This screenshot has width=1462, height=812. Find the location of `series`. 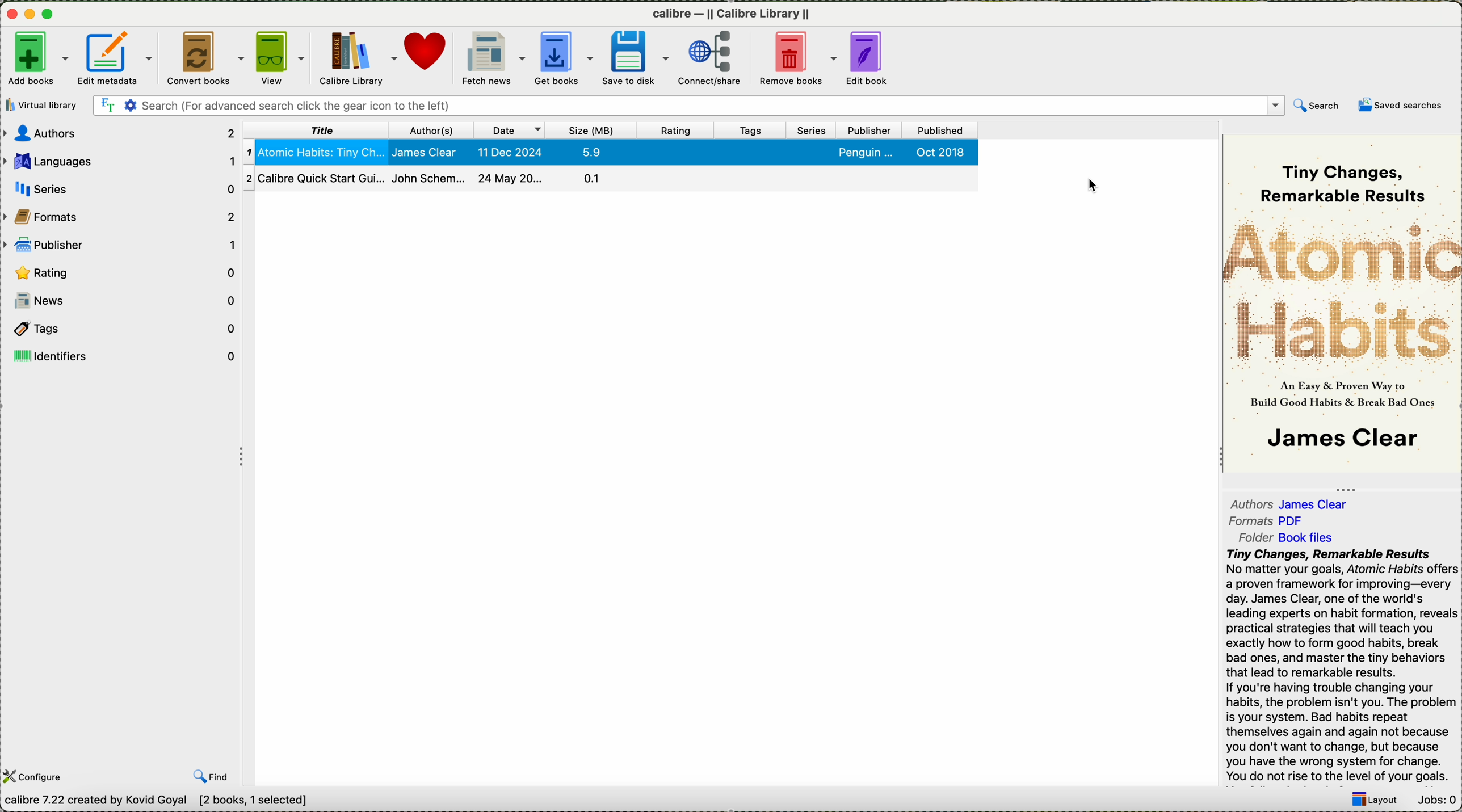

series is located at coordinates (123, 188).